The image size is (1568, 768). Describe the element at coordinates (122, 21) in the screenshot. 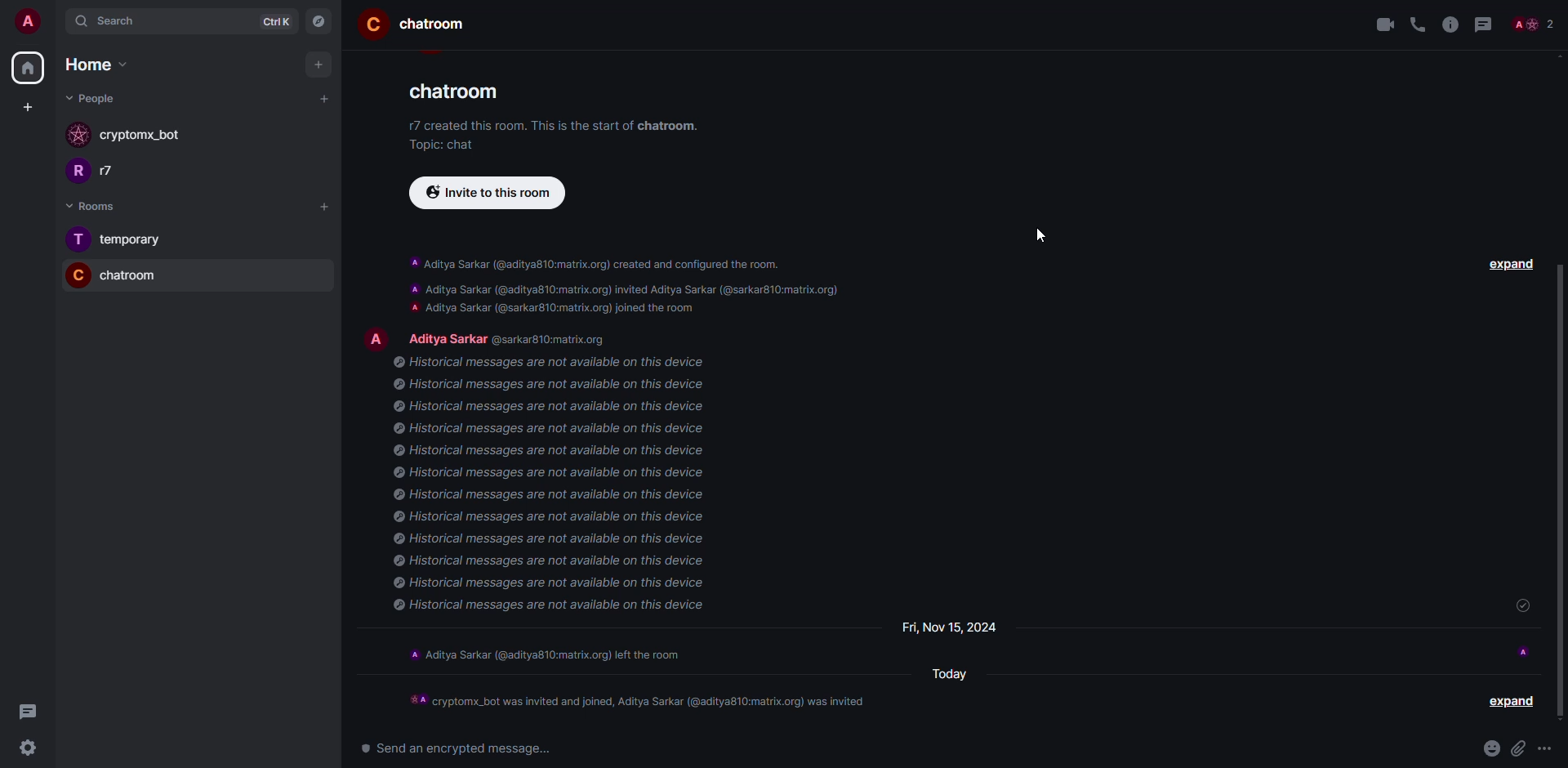

I see `search` at that location.